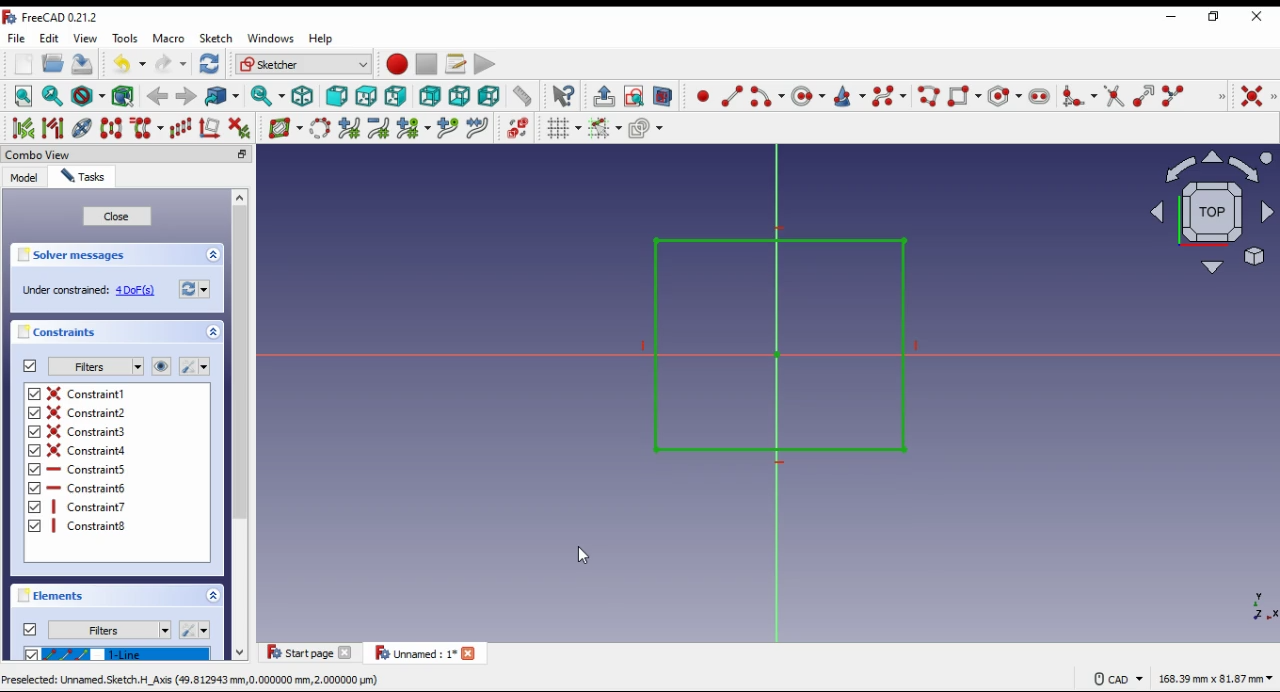 Image resolution: width=1280 pixels, height=692 pixels. Describe the element at coordinates (193, 680) in the screenshot. I see `Preselected: Unnamed. Sketch. H_Axis (49,812943 mm,0.000000 mm, 2.000000 pum)` at that location.